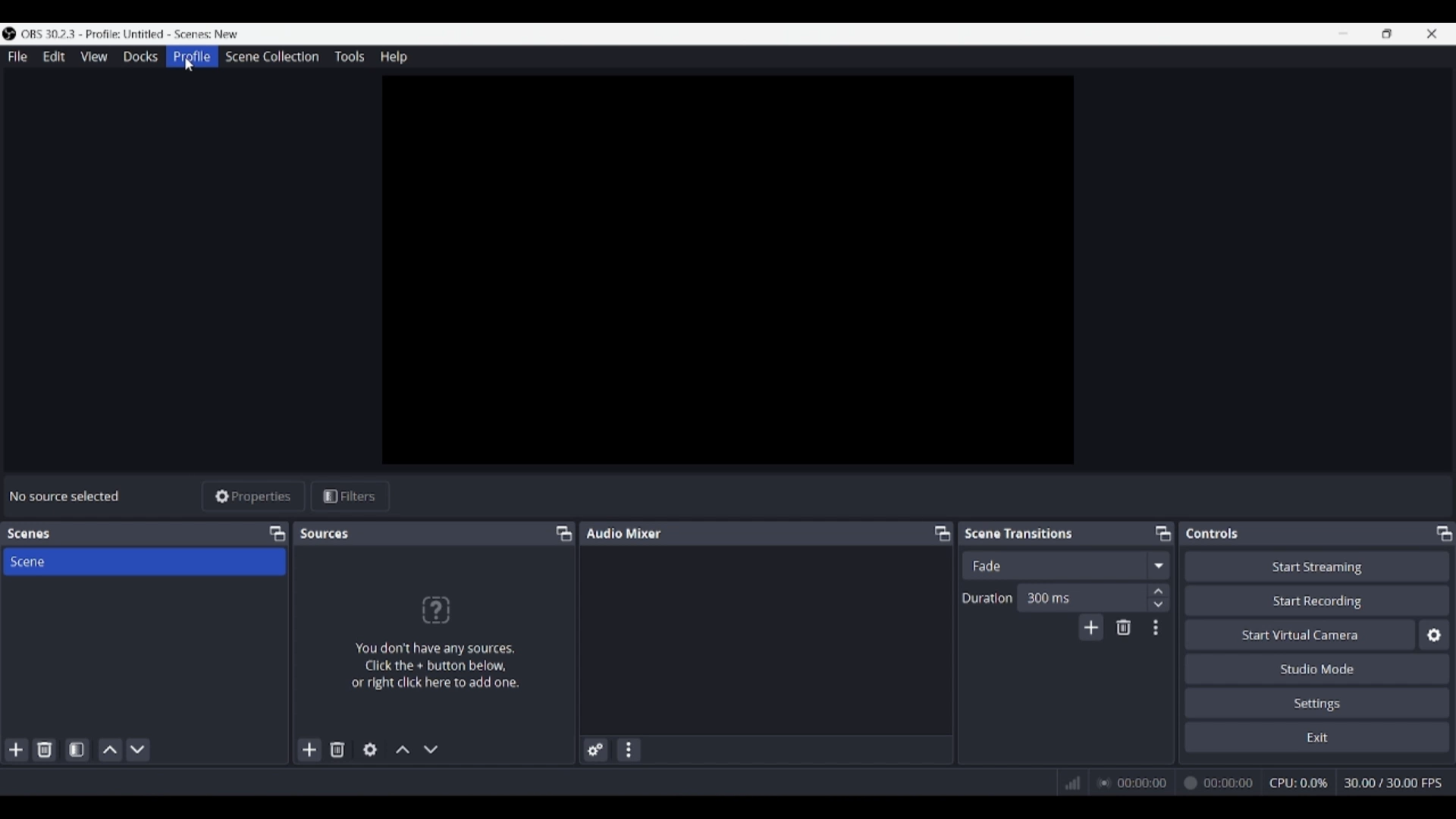 This screenshot has width=1456, height=819. Describe the element at coordinates (350, 497) in the screenshot. I see `Filters` at that location.